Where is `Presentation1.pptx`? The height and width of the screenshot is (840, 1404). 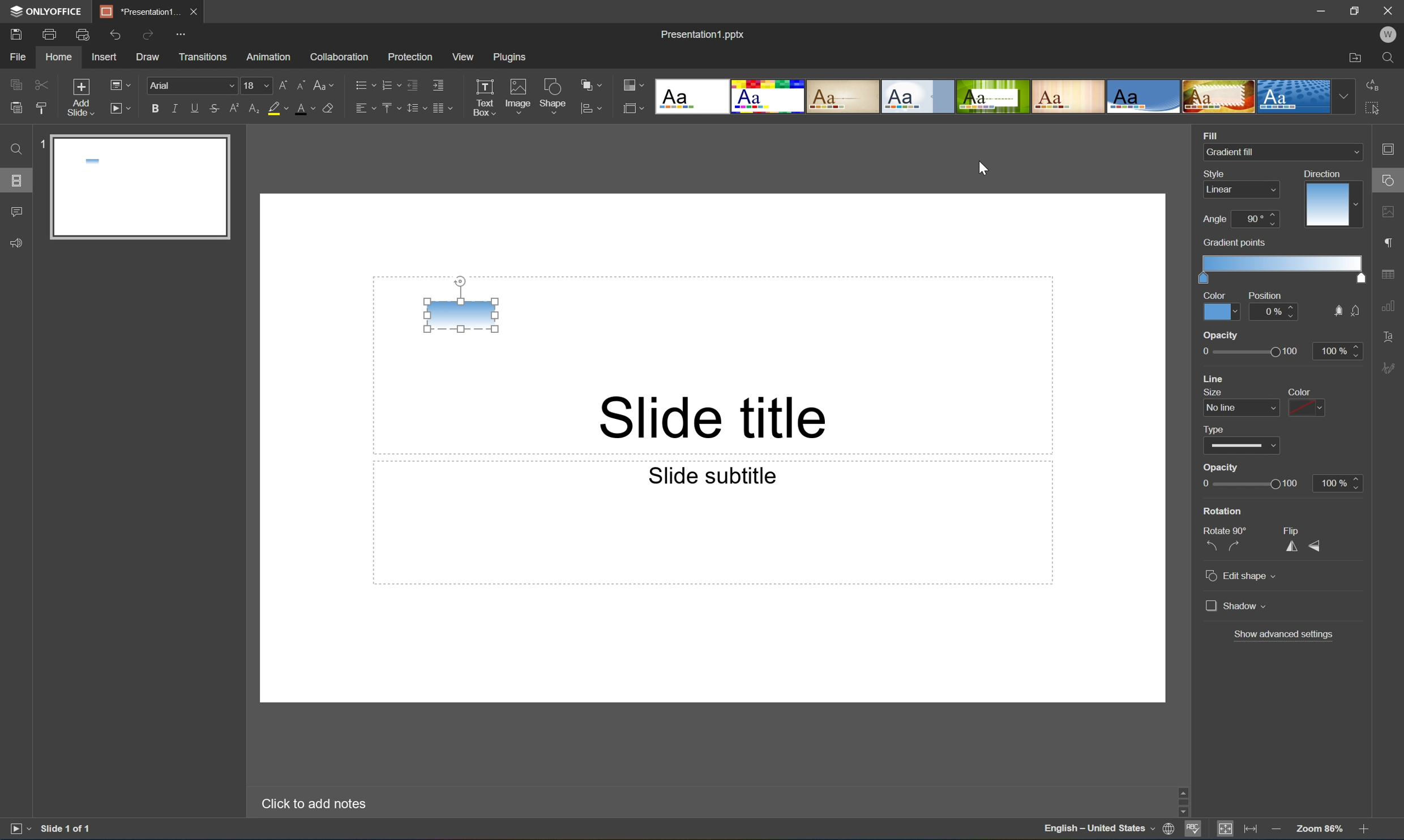 Presentation1.pptx is located at coordinates (701, 32).